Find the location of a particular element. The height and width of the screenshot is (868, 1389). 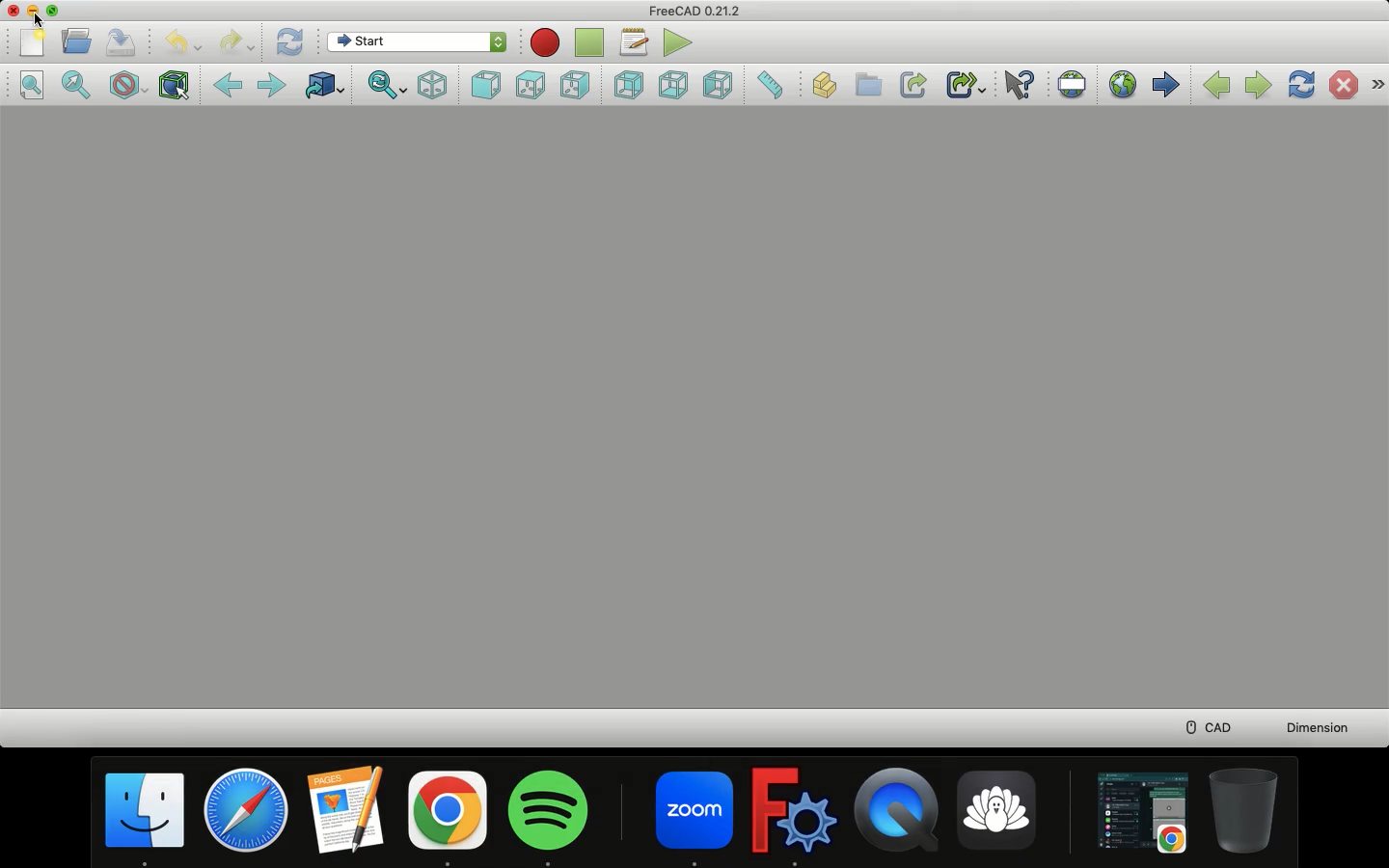

File name is located at coordinates (693, 12).